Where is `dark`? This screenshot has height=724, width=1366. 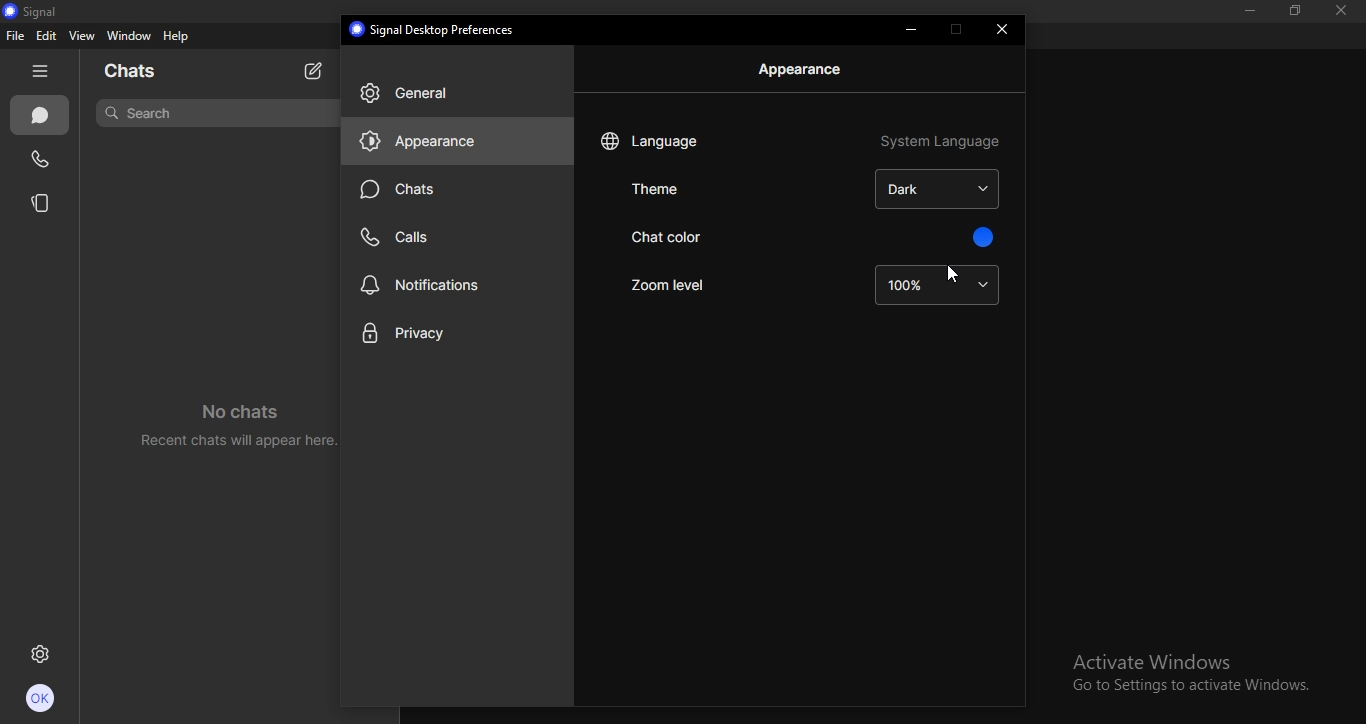 dark is located at coordinates (940, 188).